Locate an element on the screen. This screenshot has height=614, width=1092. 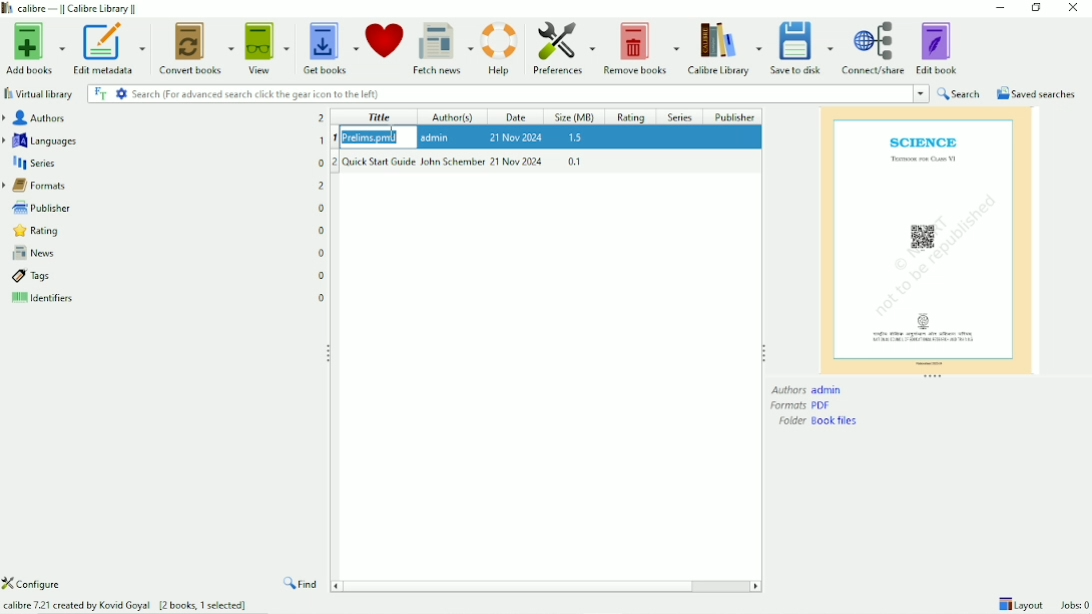
logo is located at coordinates (8, 9).